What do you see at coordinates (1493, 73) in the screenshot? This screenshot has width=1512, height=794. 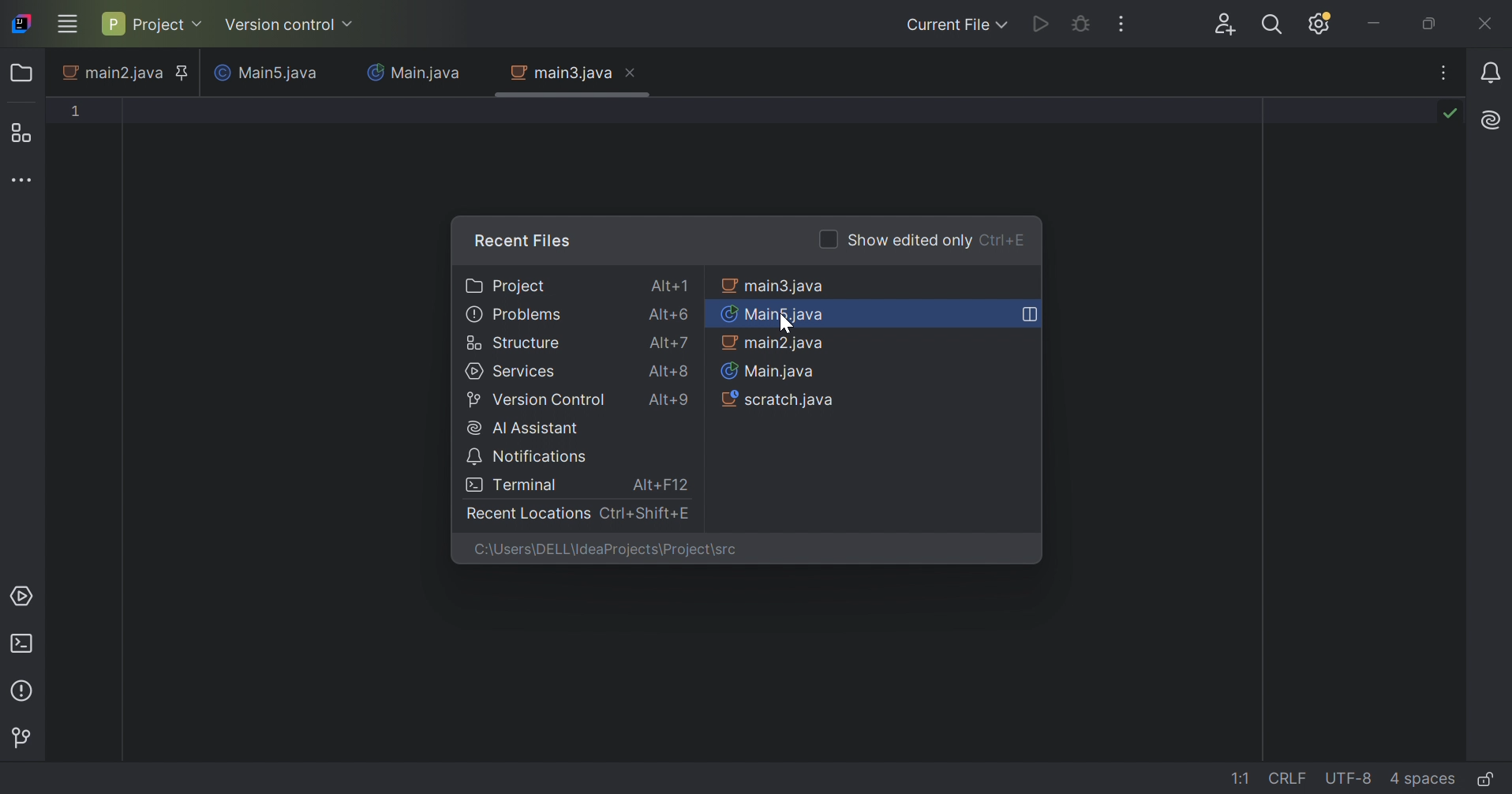 I see `Notifications` at bounding box center [1493, 73].